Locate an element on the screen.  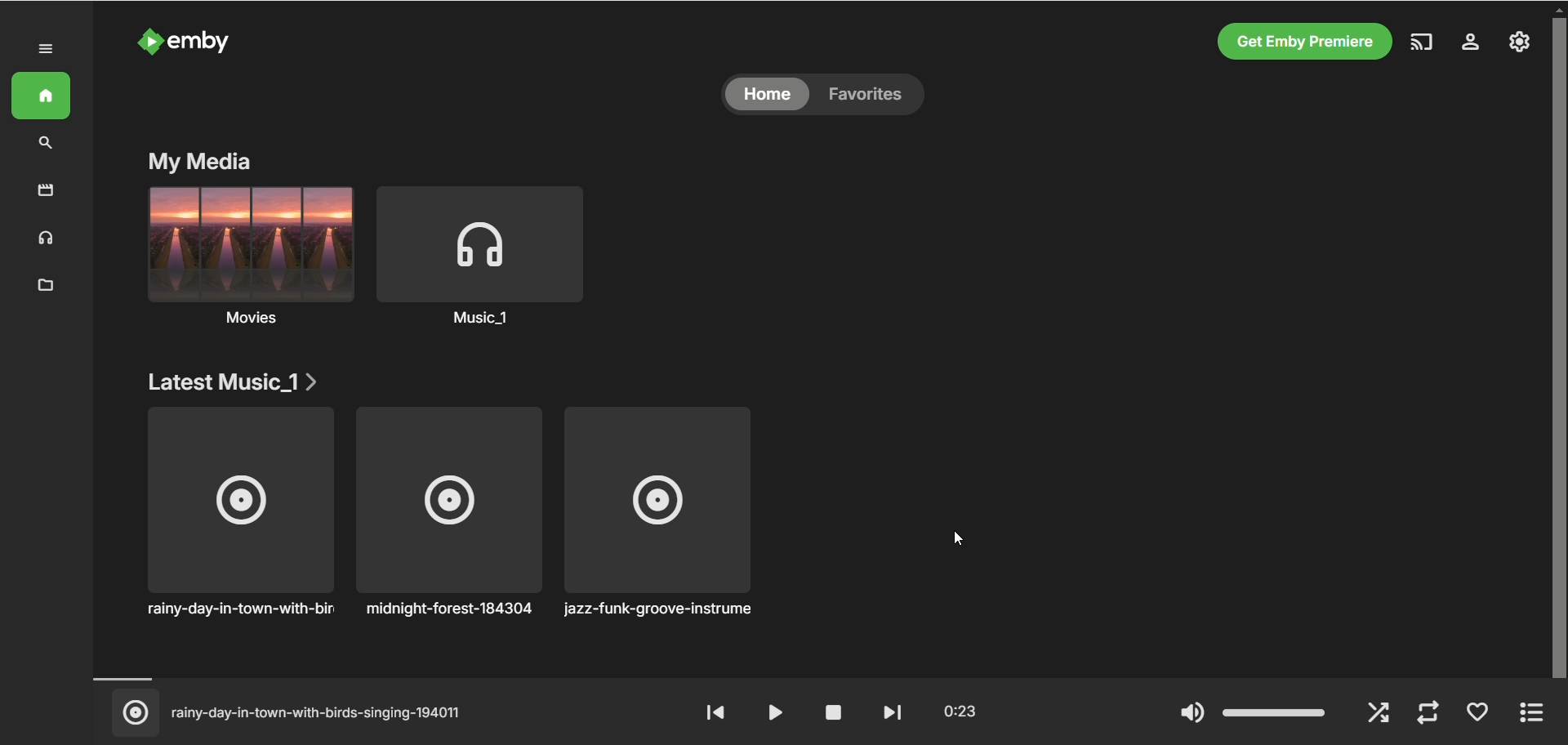
expand is located at coordinates (47, 50).